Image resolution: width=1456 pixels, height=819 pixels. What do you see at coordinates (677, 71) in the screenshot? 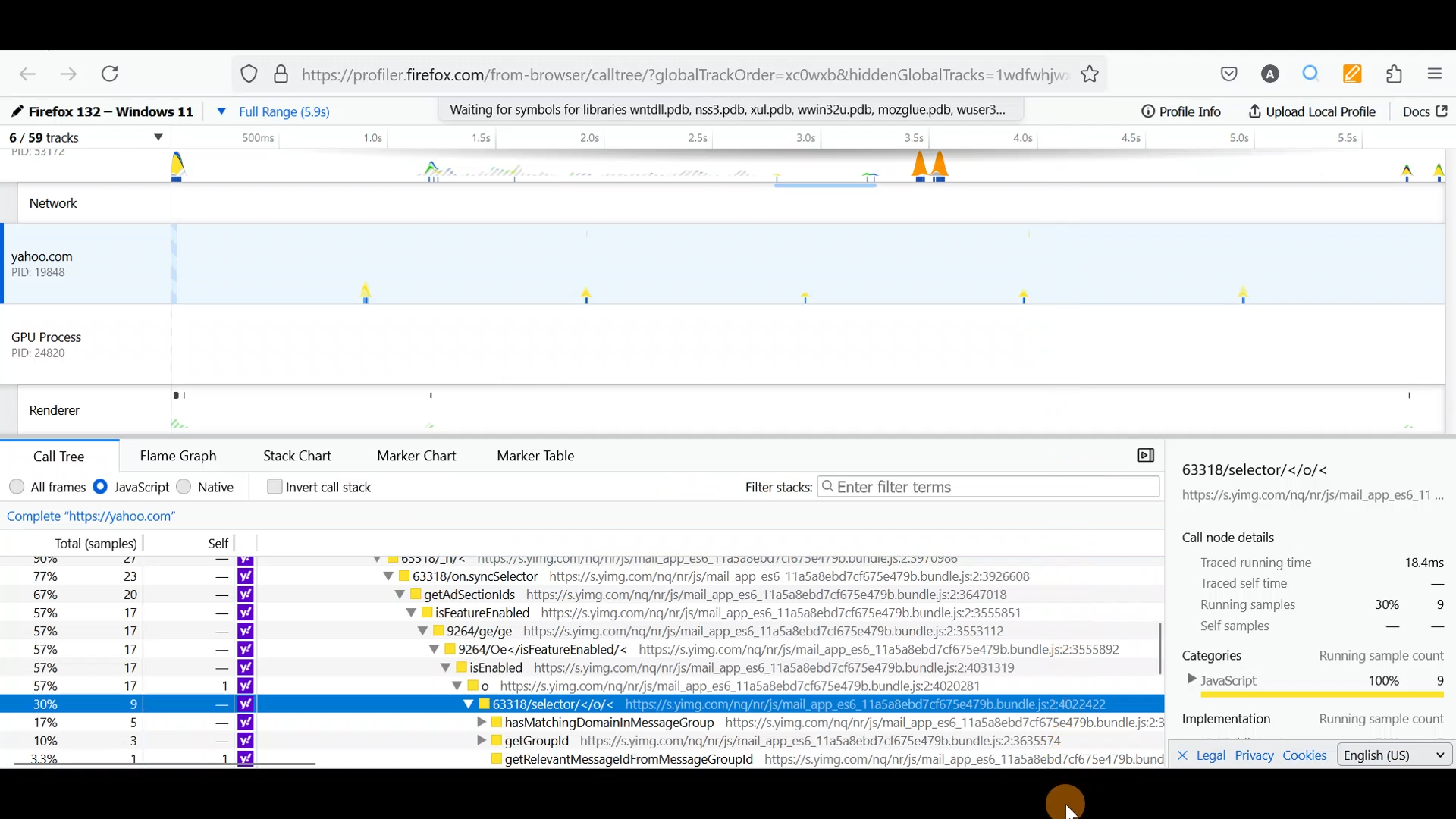
I see `Search bar` at bounding box center [677, 71].